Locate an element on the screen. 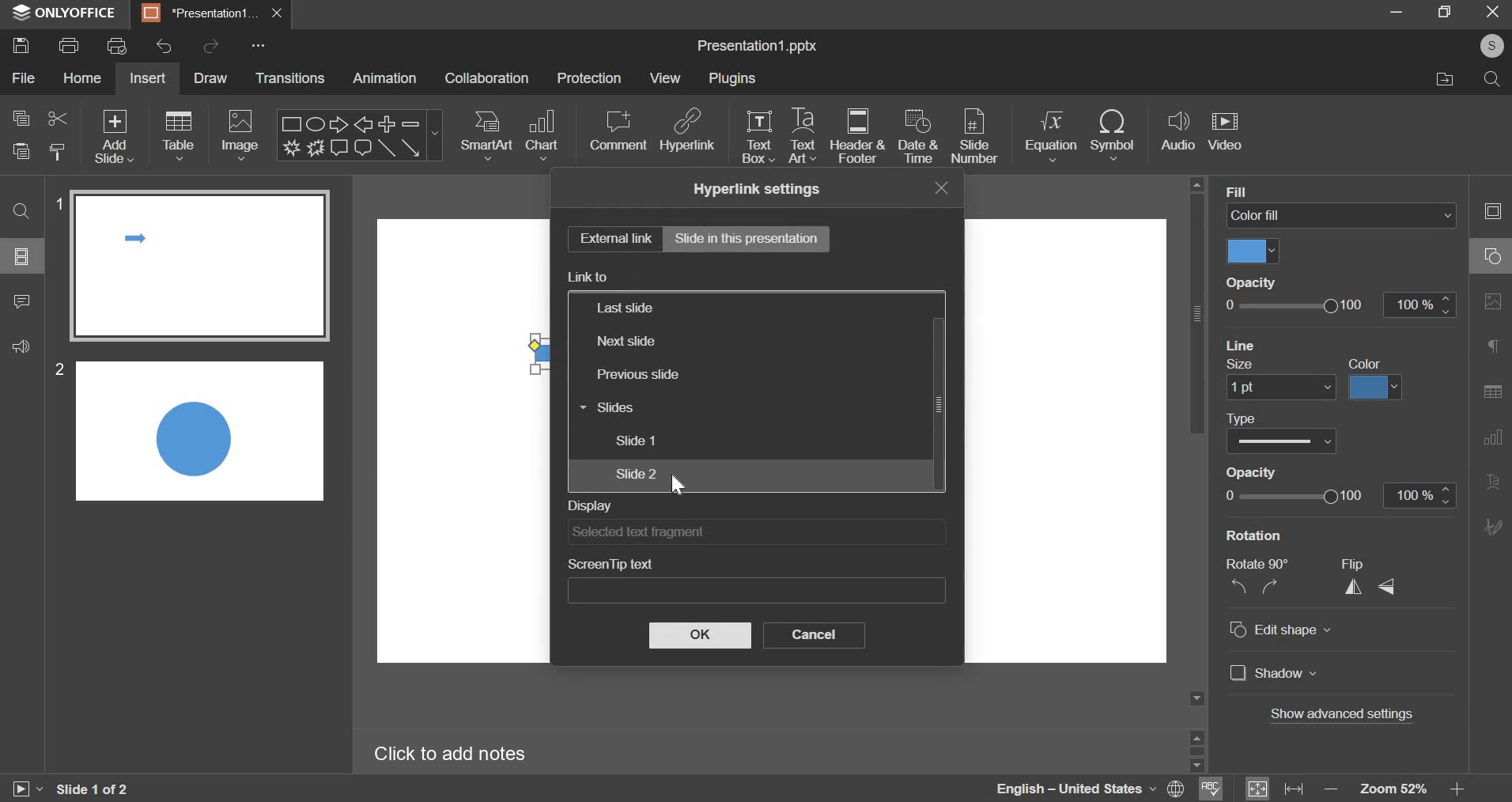 This screenshot has height=802, width=1512. fit to slide is located at coordinates (1259, 789).